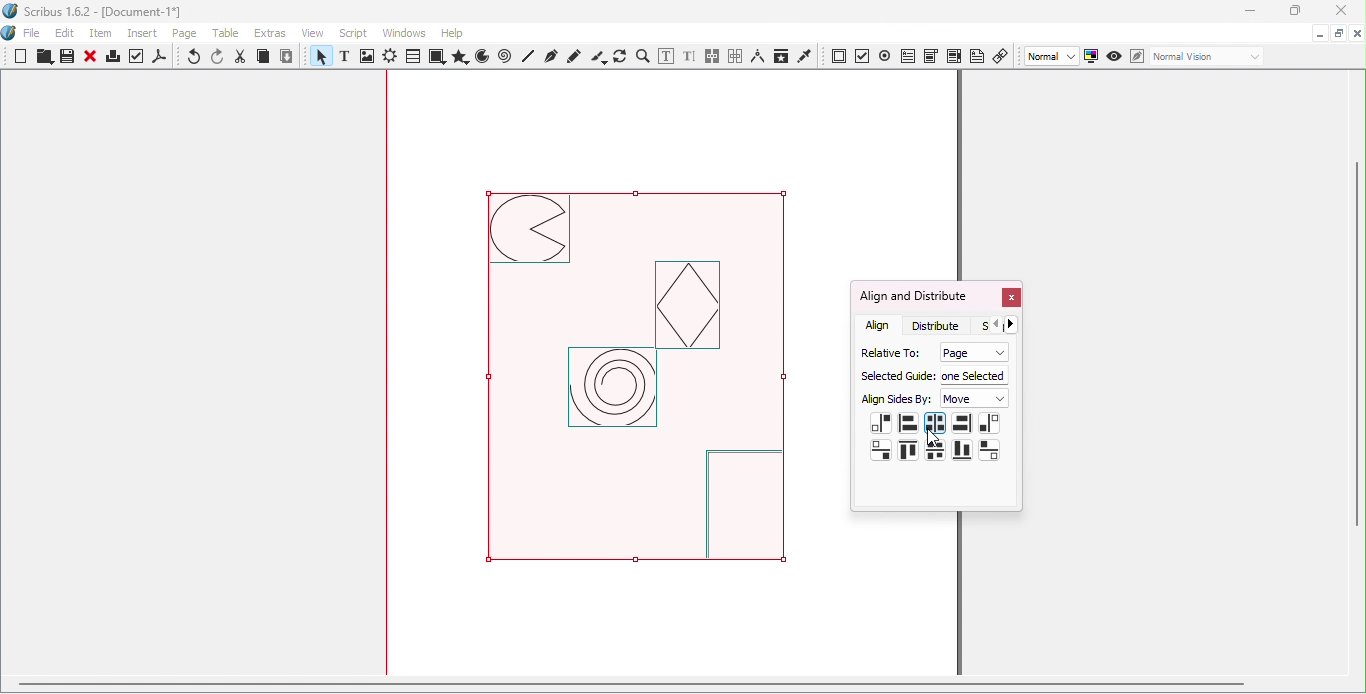  Describe the element at coordinates (961, 424) in the screenshot. I see `Align right sides` at that location.